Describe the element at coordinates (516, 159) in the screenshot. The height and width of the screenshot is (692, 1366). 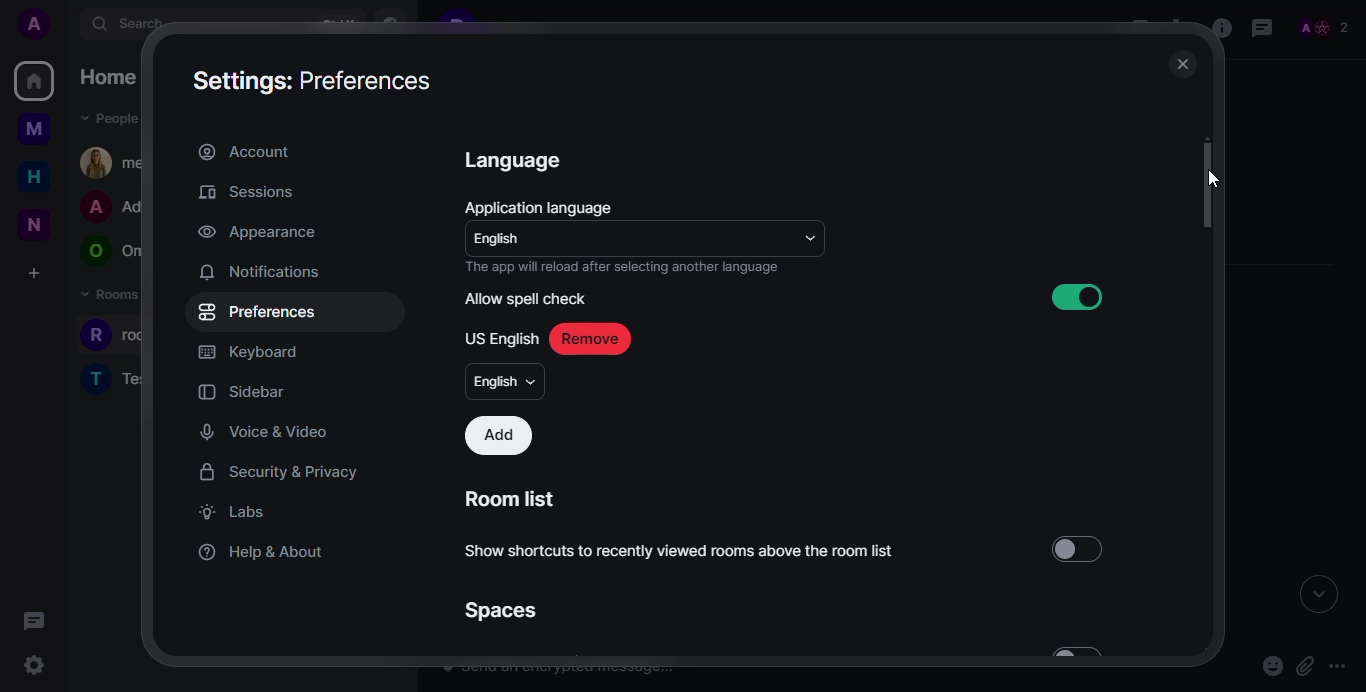
I see `language` at that location.